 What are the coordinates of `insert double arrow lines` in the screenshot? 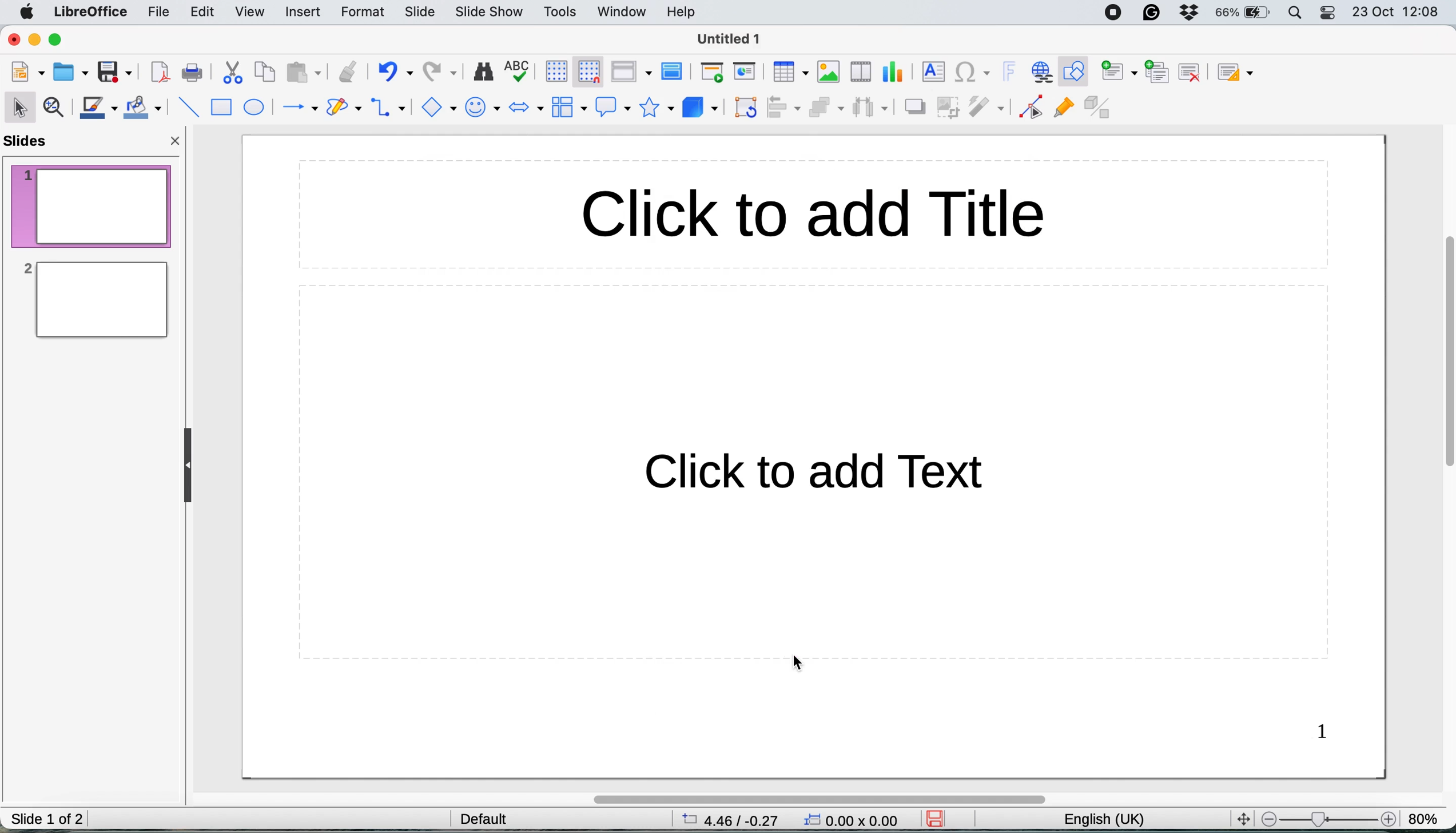 It's located at (389, 109).